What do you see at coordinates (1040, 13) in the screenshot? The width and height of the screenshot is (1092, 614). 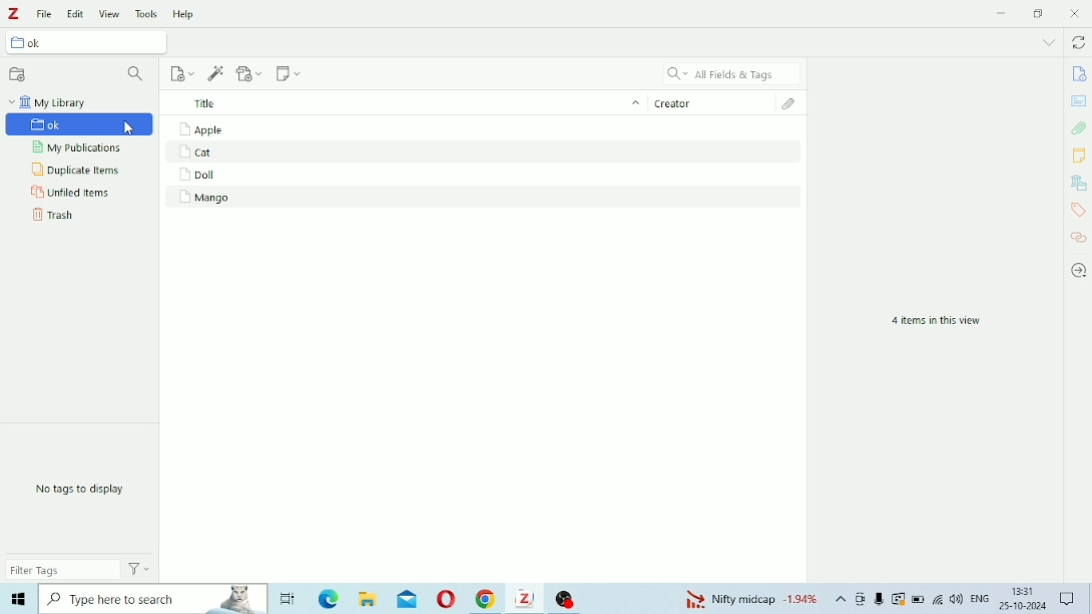 I see `Restore down` at bounding box center [1040, 13].